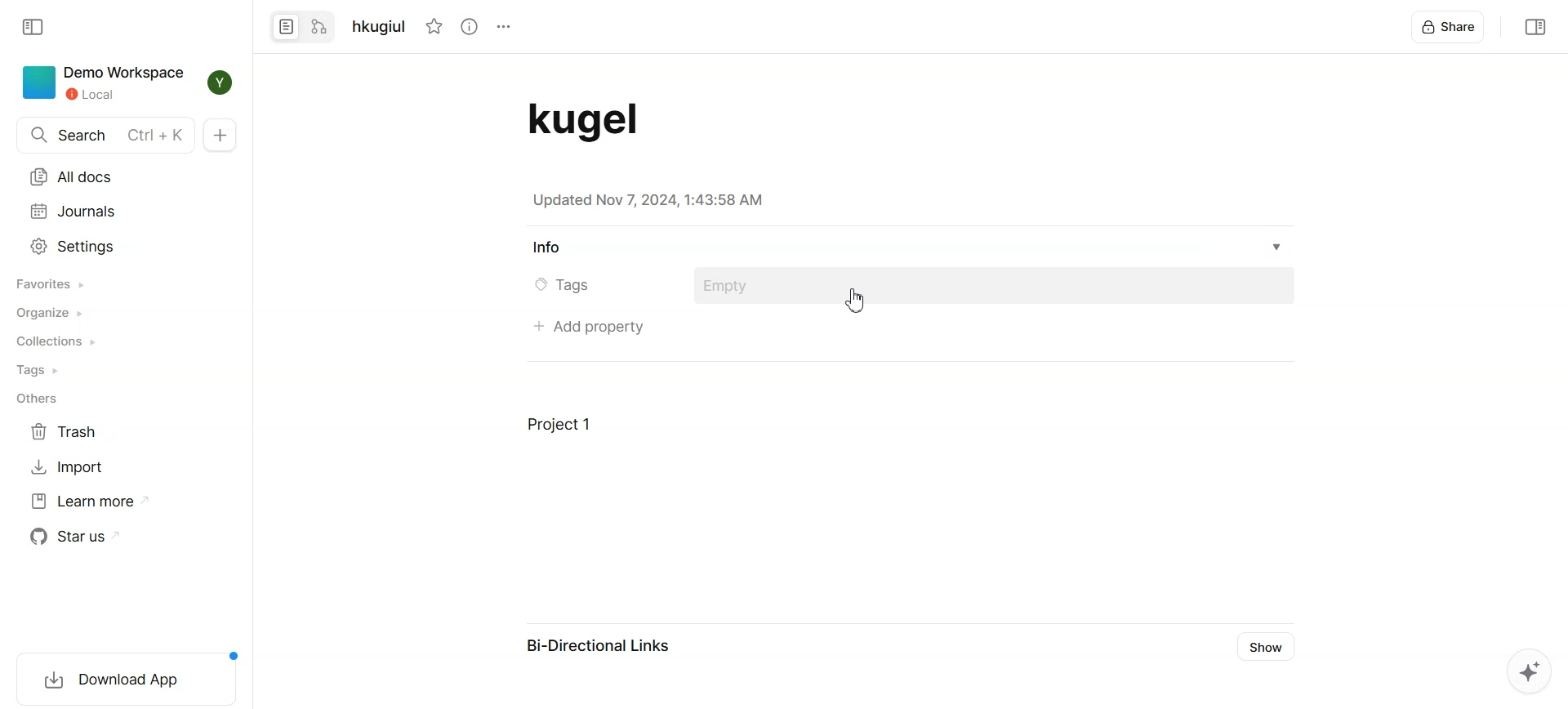  Describe the element at coordinates (83, 536) in the screenshot. I see `Star us` at that location.